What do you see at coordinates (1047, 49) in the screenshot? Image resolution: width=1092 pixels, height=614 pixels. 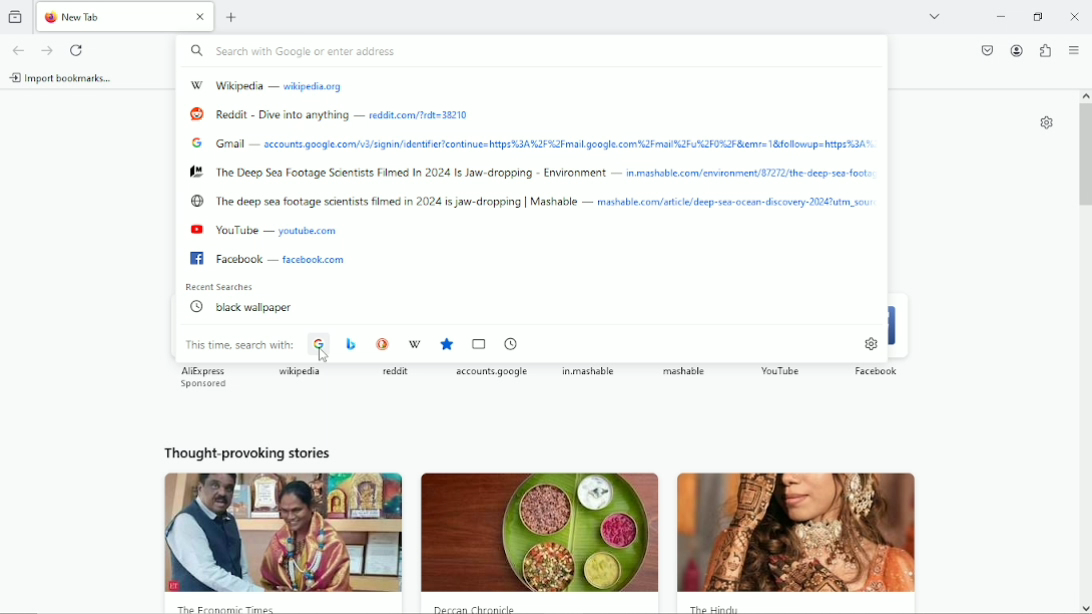 I see `extensions` at bounding box center [1047, 49].